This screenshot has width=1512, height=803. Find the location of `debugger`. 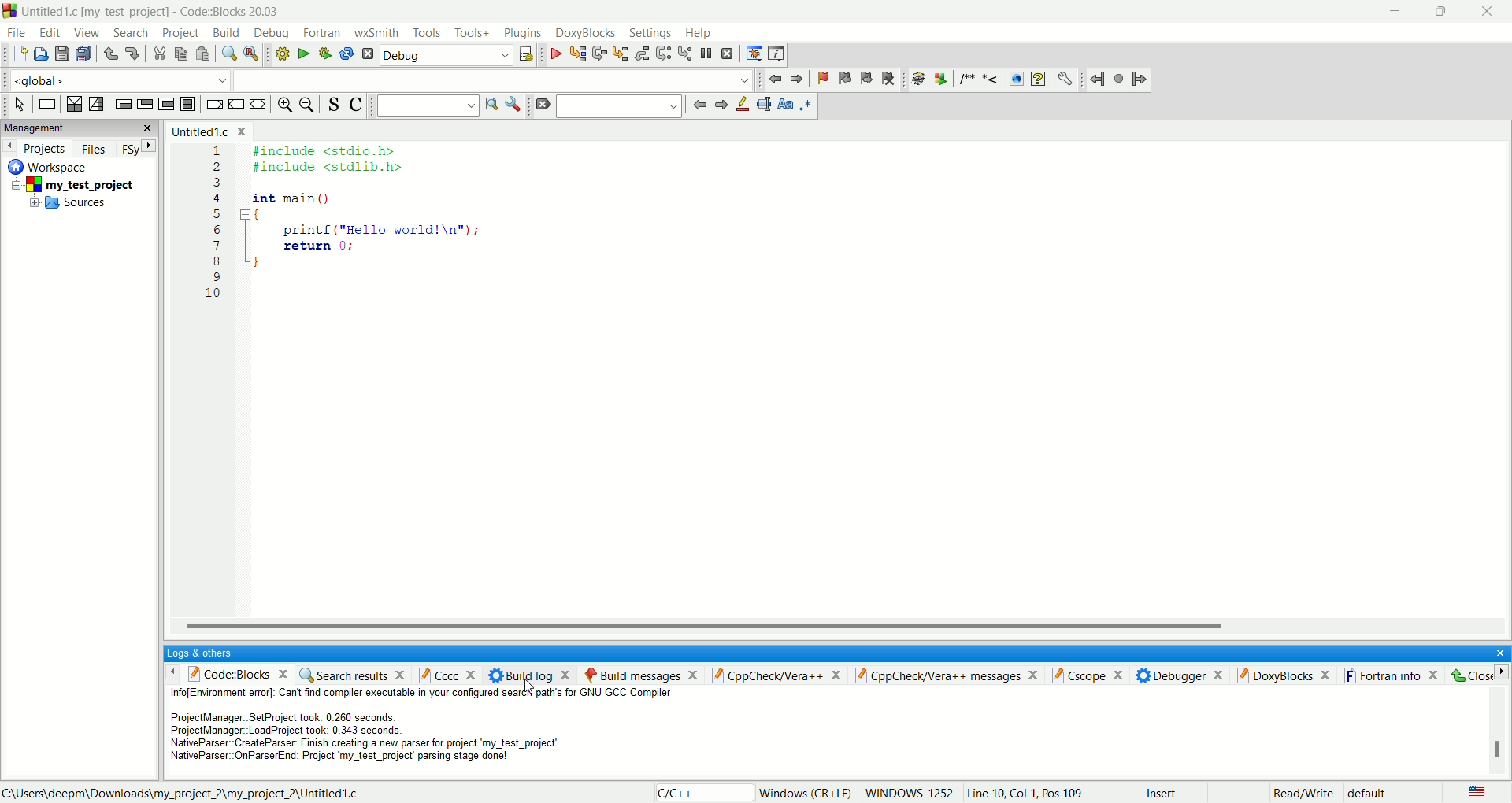

debugger is located at coordinates (1183, 675).